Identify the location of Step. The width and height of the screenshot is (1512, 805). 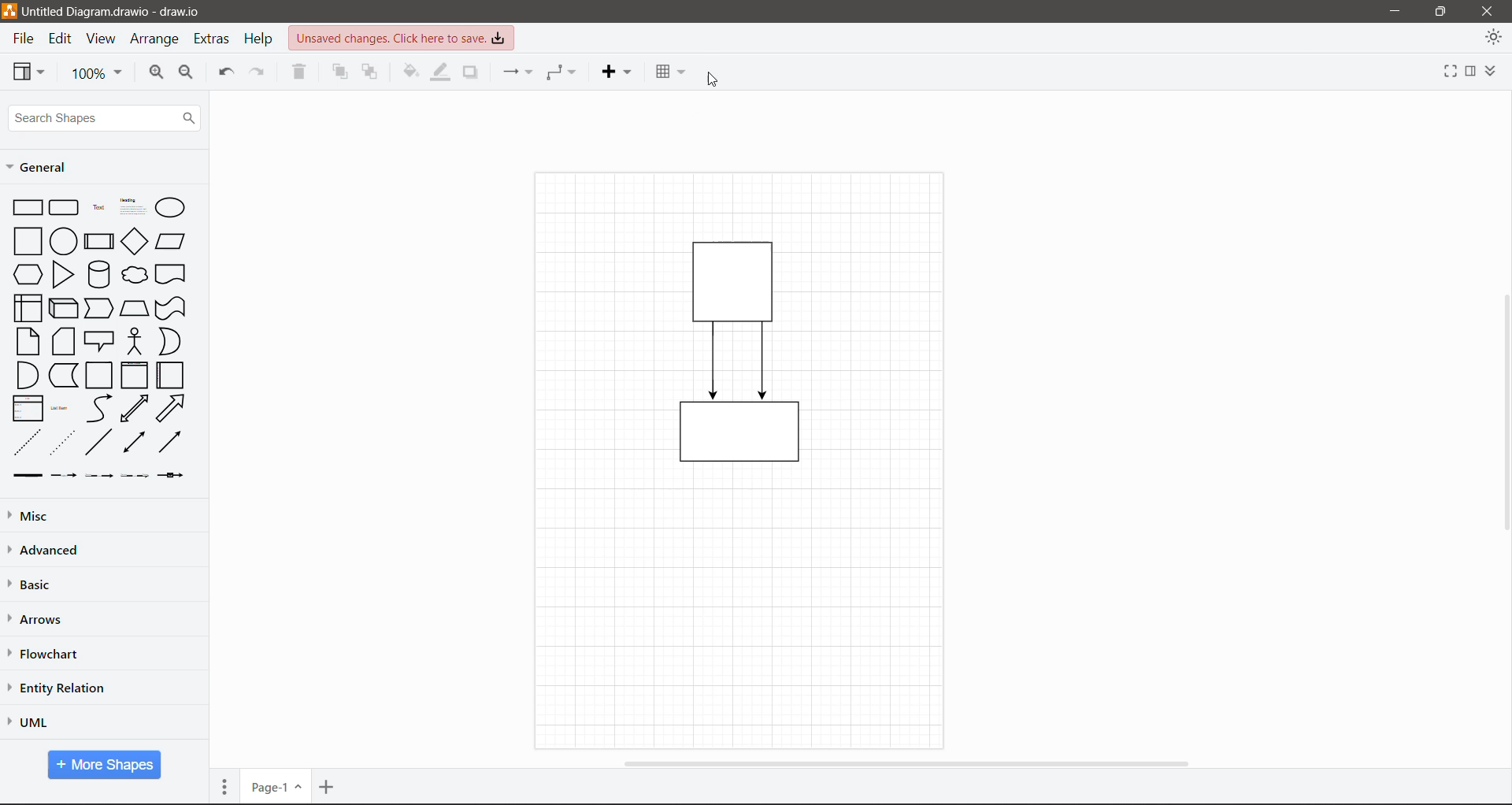
(99, 306).